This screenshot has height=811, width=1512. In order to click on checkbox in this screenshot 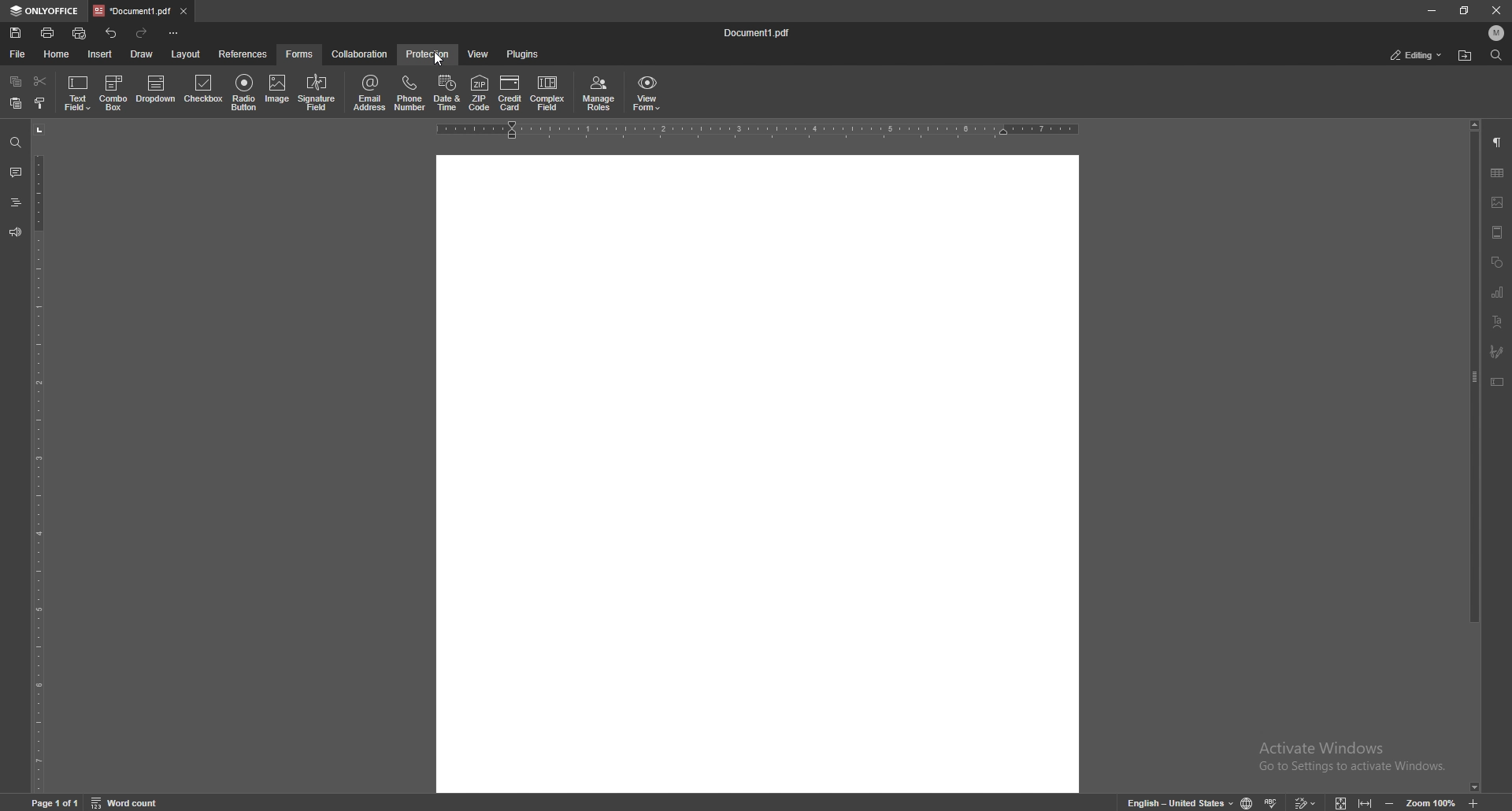, I will do `click(204, 92)`.